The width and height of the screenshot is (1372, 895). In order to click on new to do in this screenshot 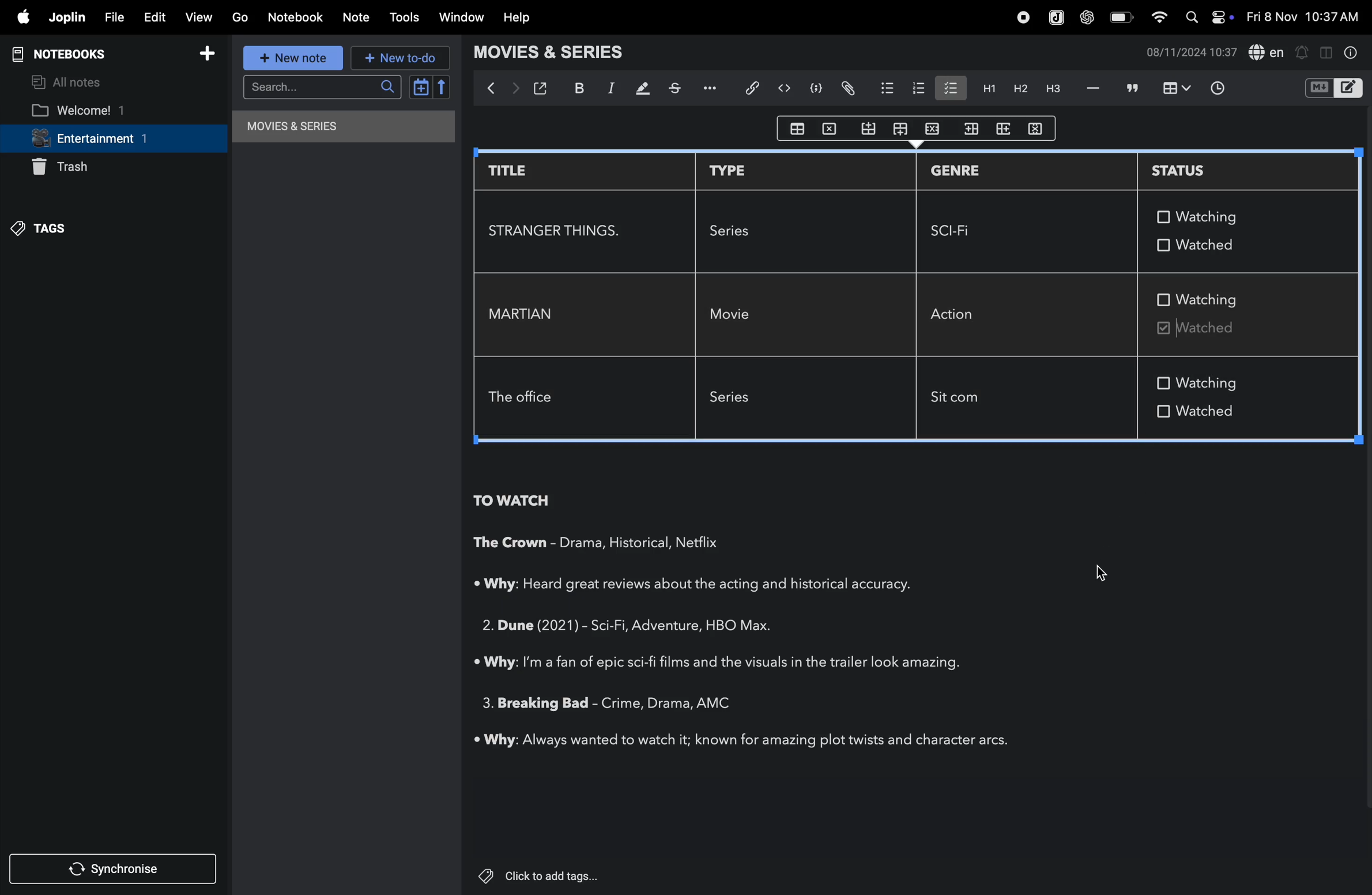, I will do `click(399, 58)`.